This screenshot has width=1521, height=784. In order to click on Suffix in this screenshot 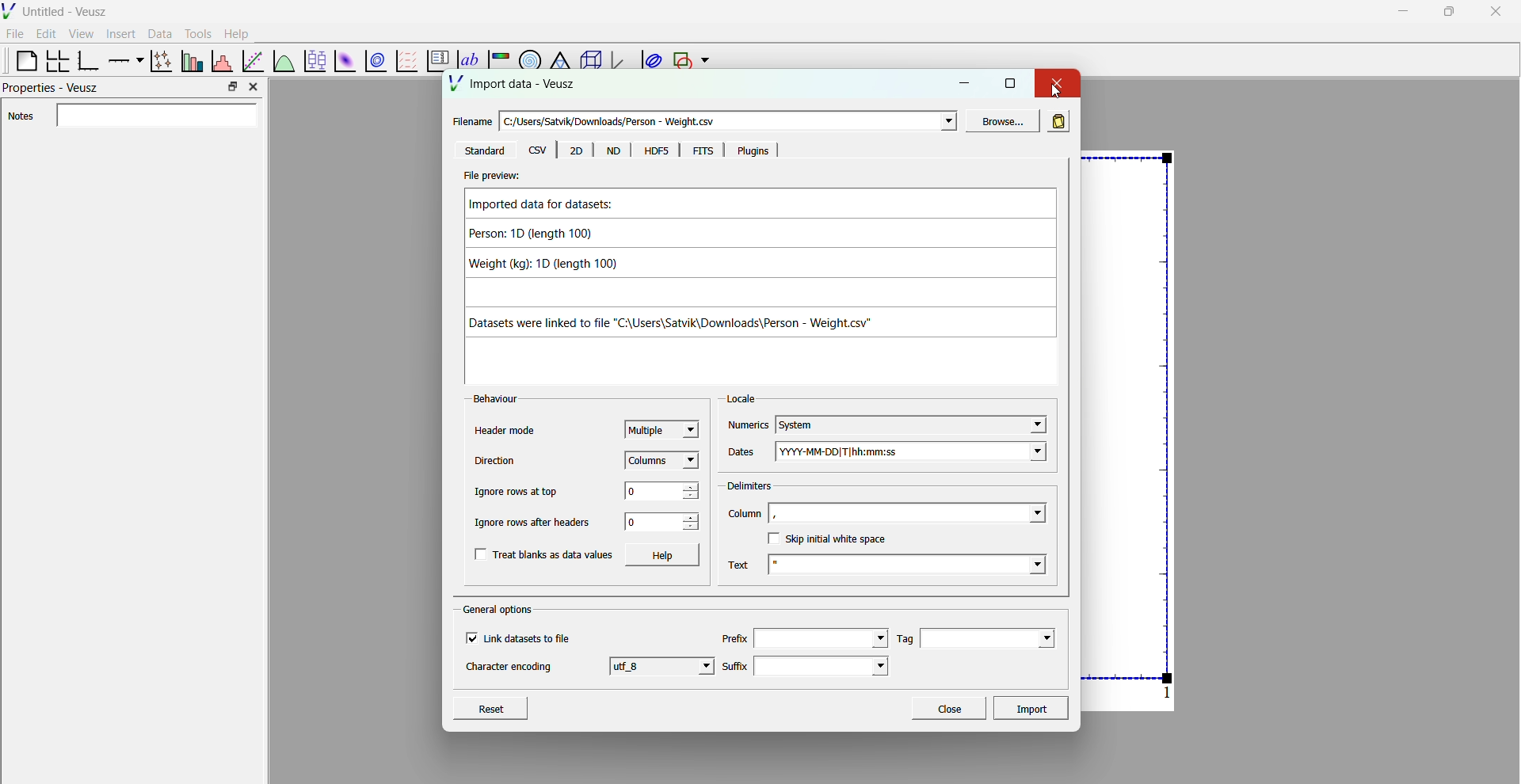, I will do `click(734, 662)`.